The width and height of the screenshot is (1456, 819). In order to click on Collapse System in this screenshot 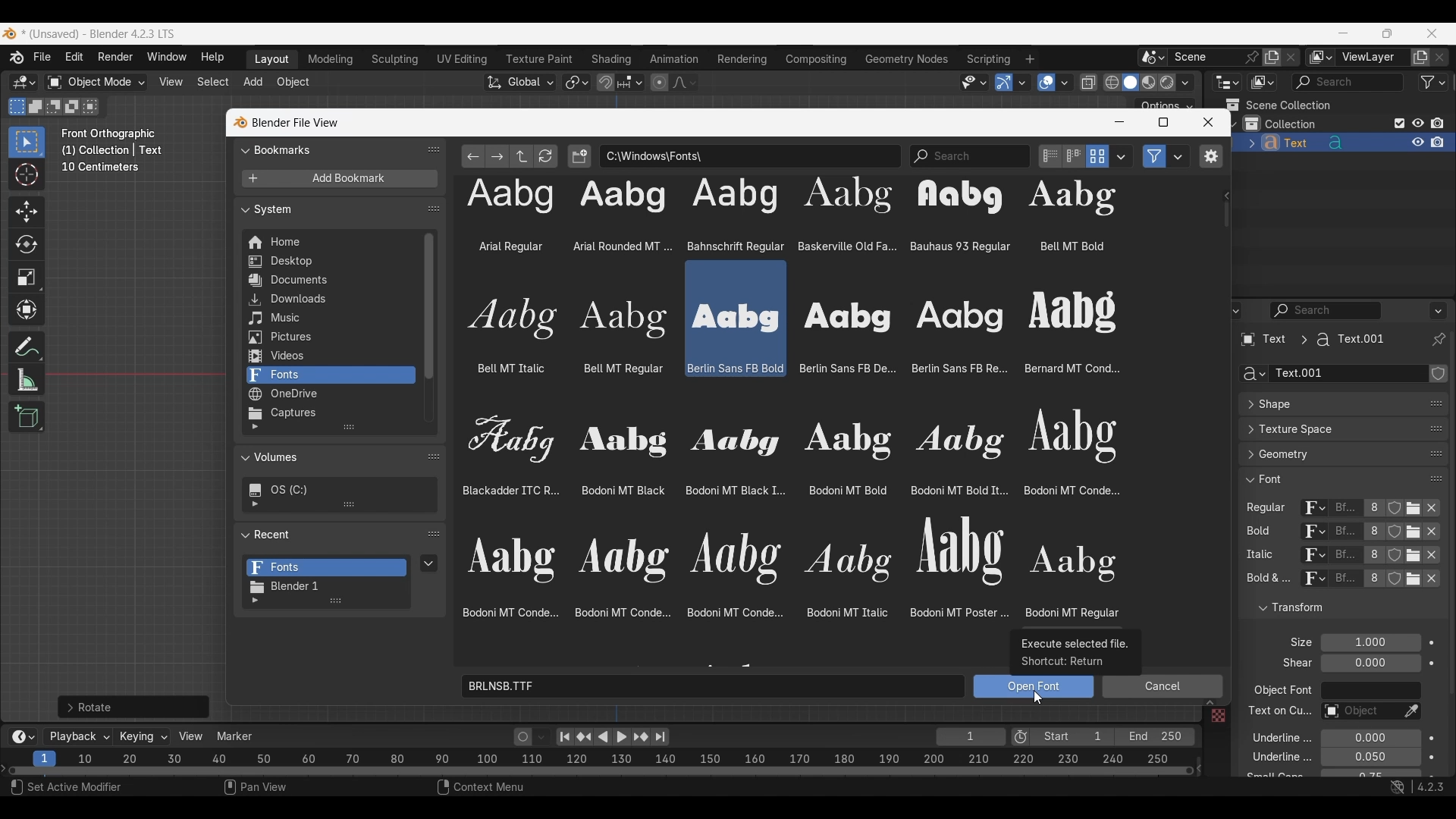, I will do `click(329, 209)`.